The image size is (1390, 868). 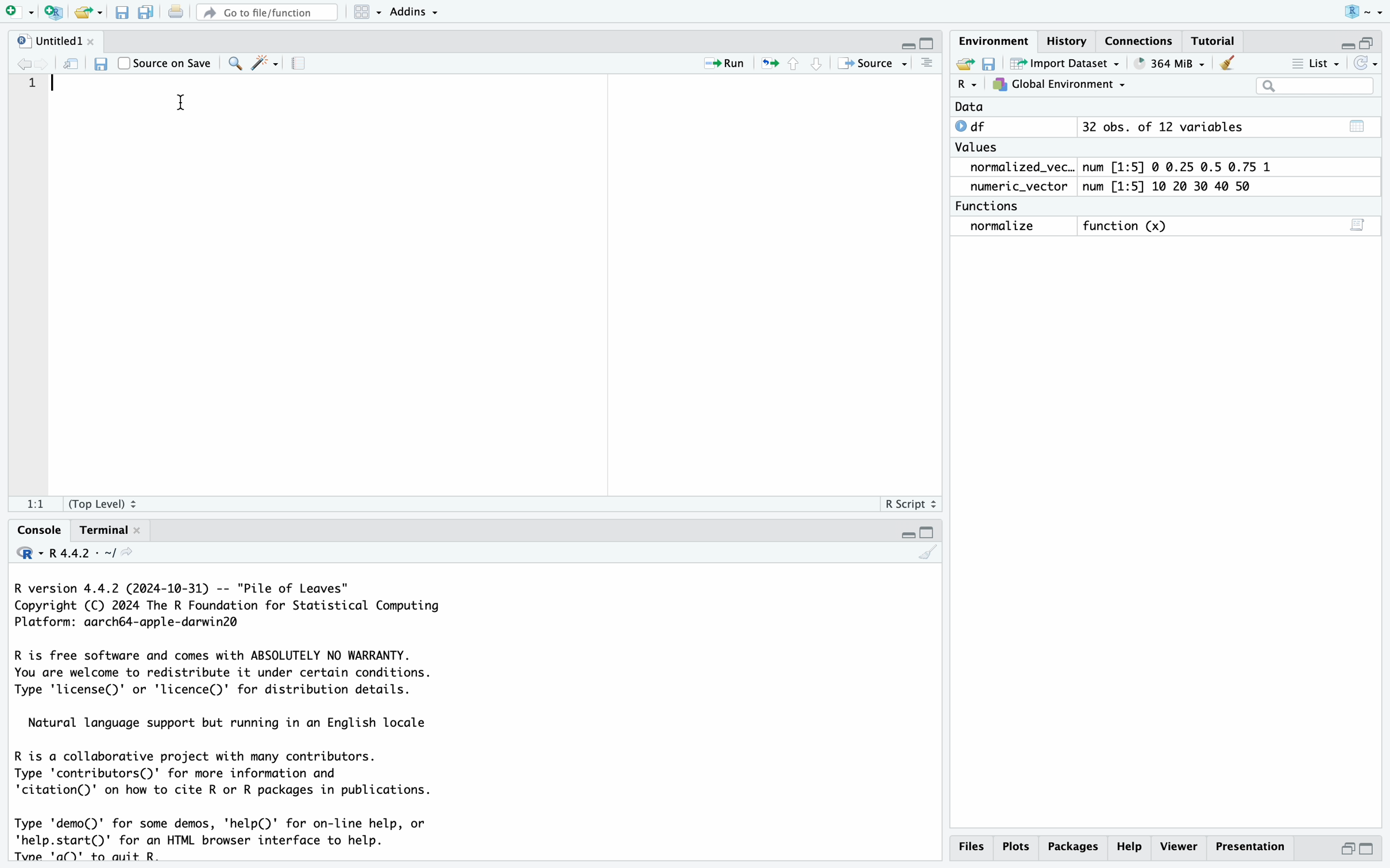 I want to click on num [1:5] 0 0.25 0.5 0.75 1, so click(x=1180, y=167).